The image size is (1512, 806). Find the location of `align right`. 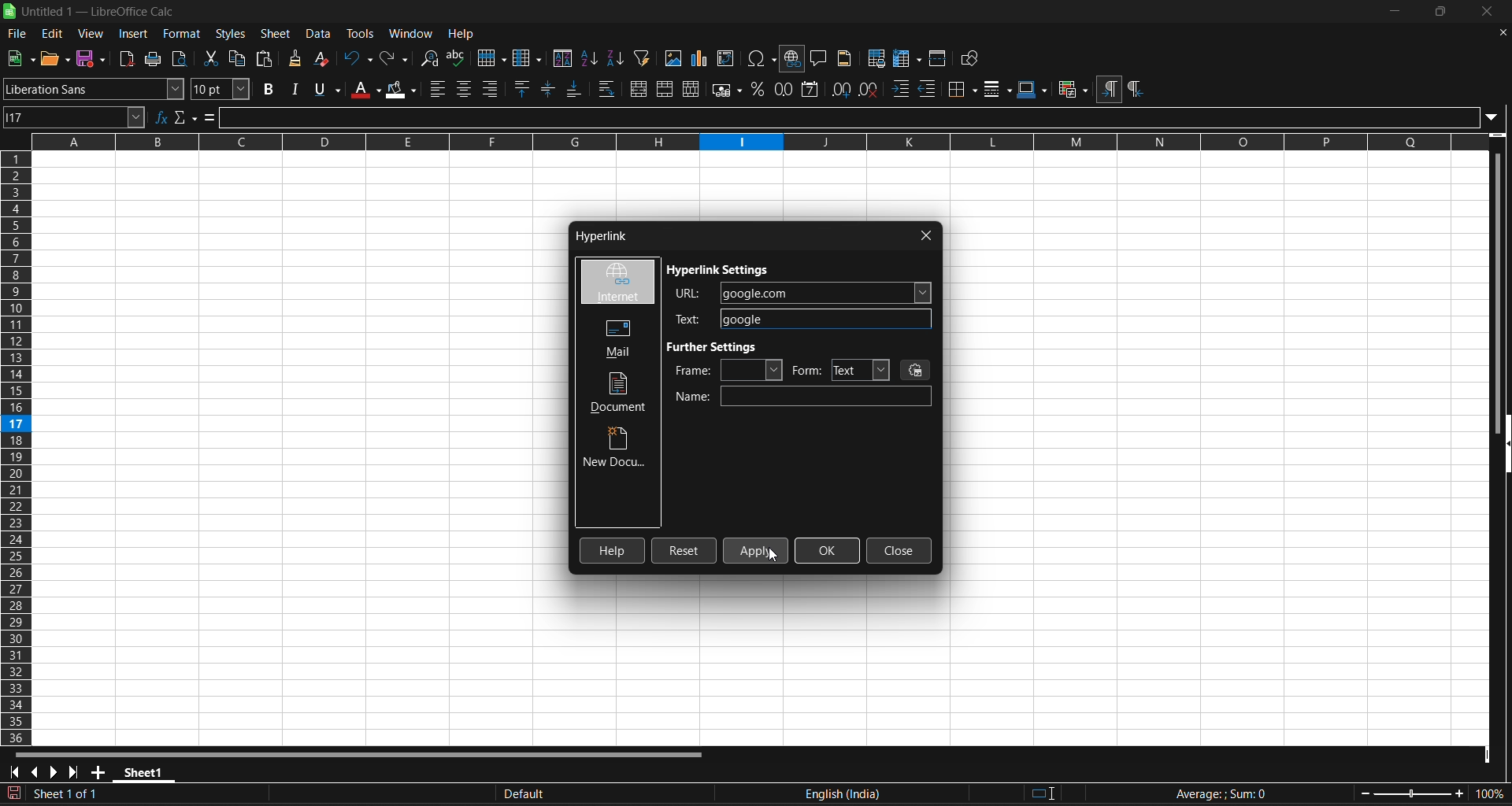

align right is located at coordinates (491, 89).